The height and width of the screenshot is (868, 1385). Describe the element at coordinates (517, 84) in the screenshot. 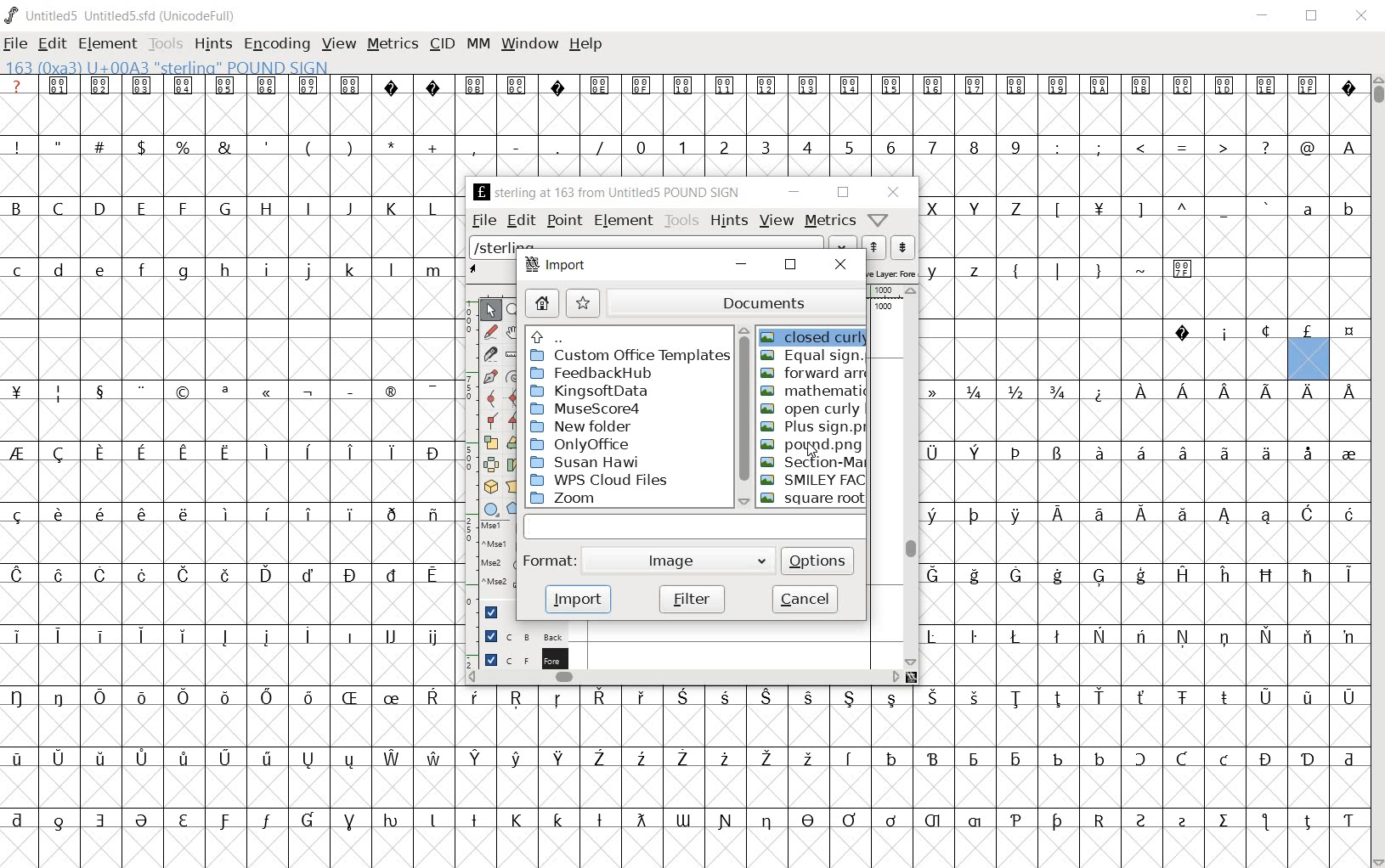

I see `Symbol` at that location.